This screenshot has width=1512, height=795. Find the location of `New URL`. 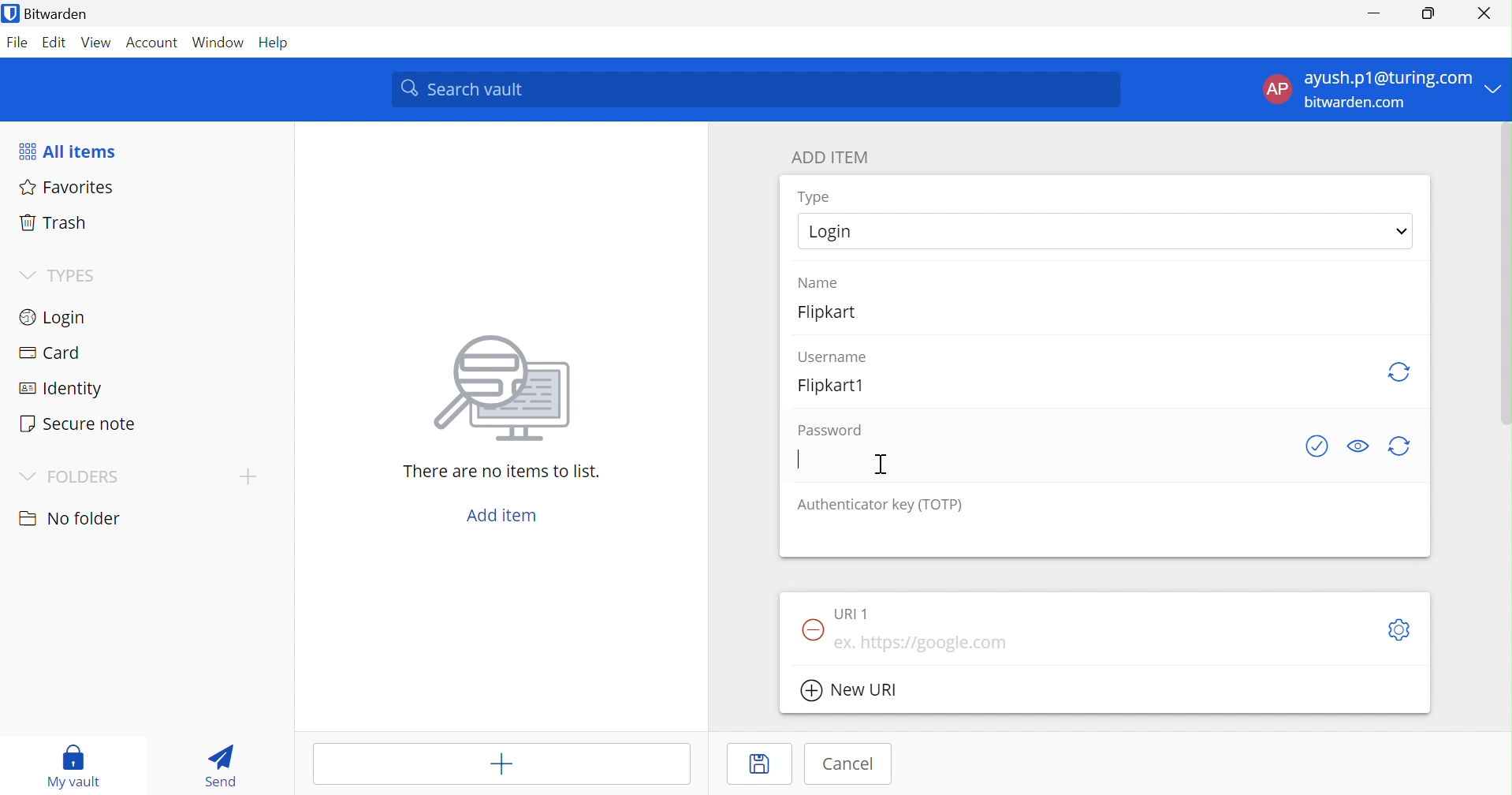

New URL is located at coordinates (859, 692).